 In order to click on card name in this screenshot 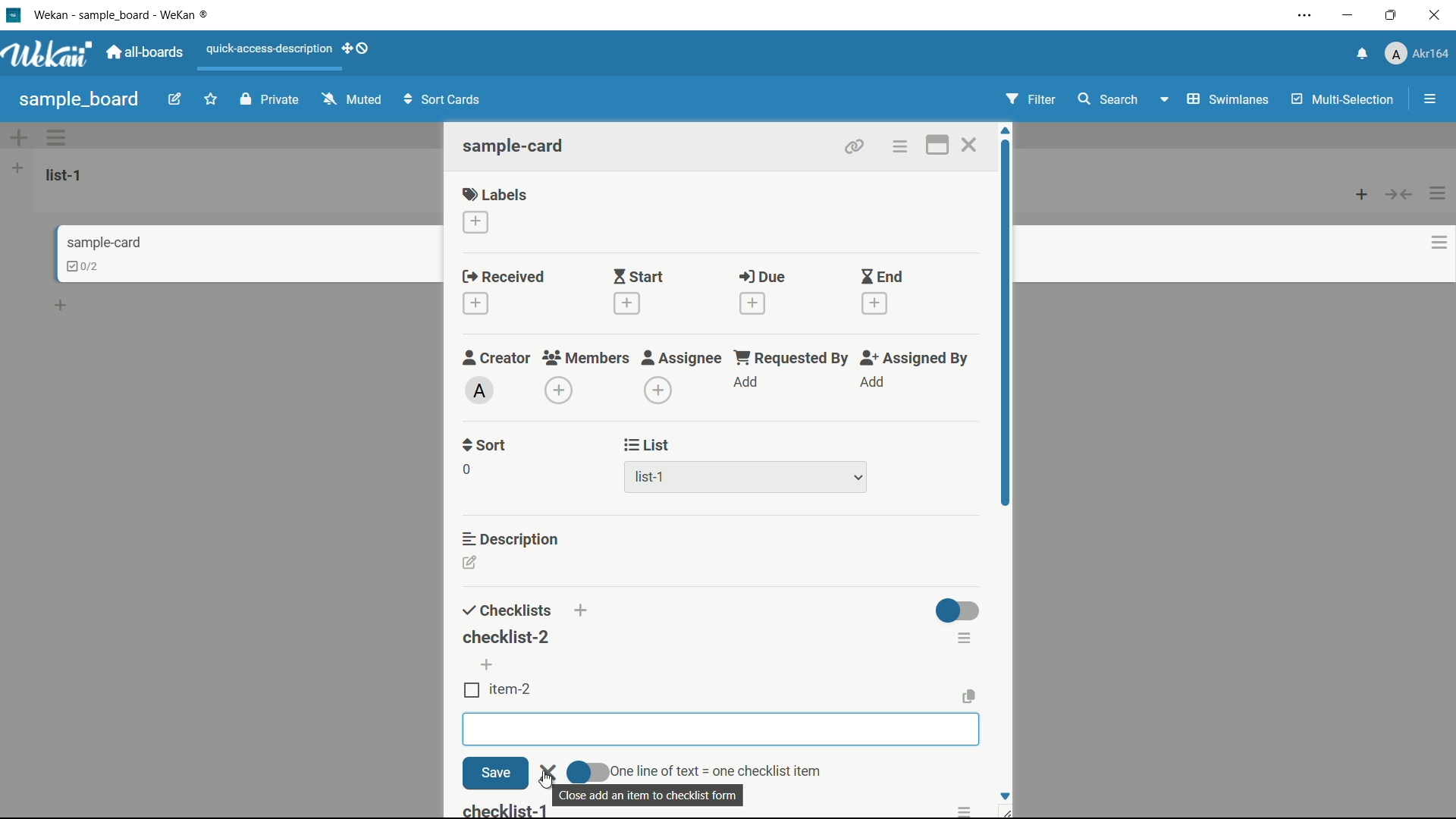, I will do `click(515, 146)`.